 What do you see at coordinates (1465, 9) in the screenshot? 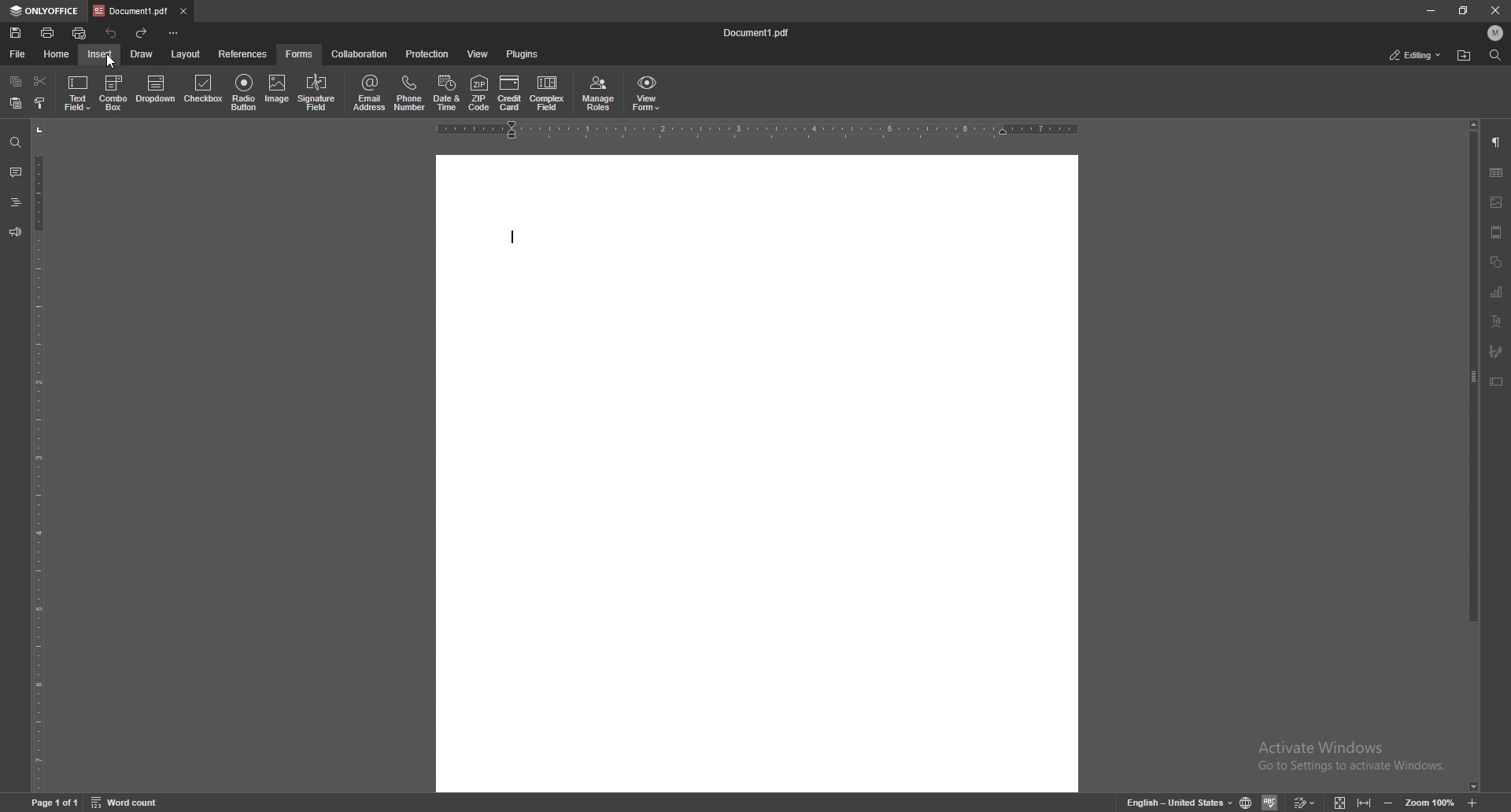
I see `resize` at bounding box center [1465, 9].